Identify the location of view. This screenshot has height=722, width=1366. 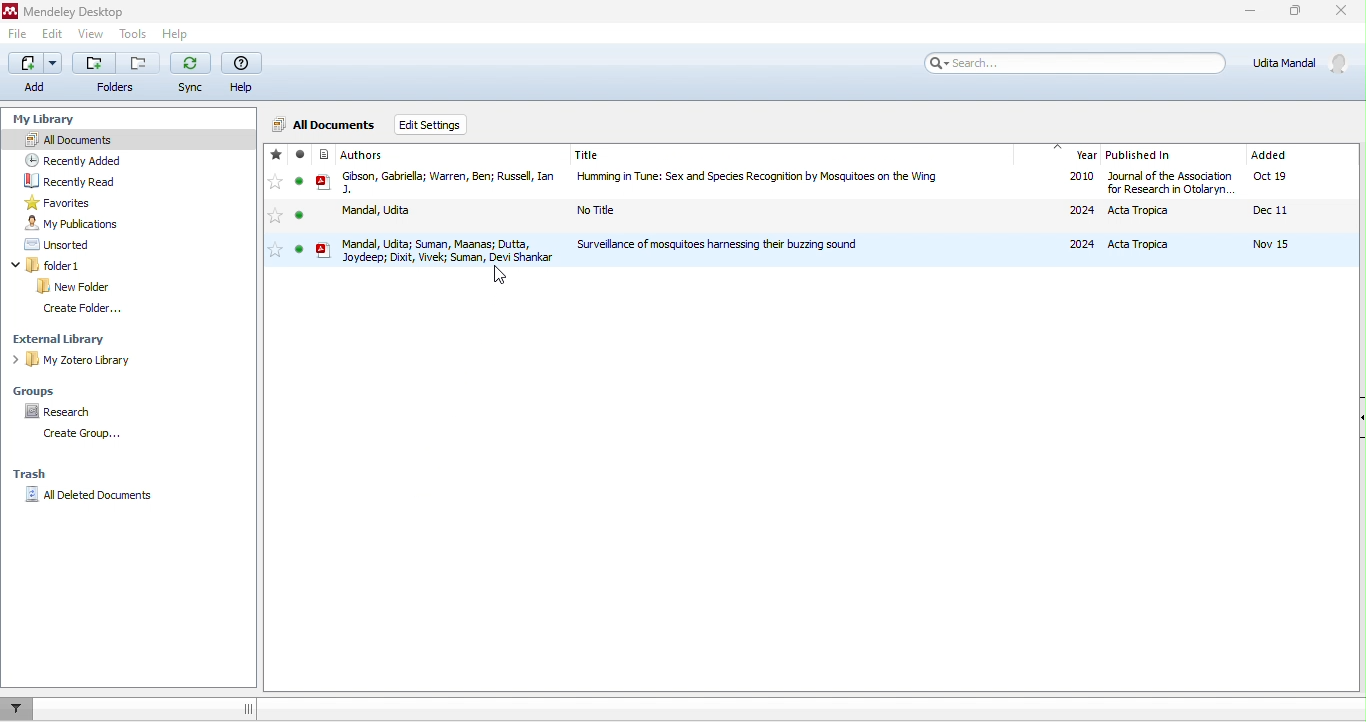
(94, 35).